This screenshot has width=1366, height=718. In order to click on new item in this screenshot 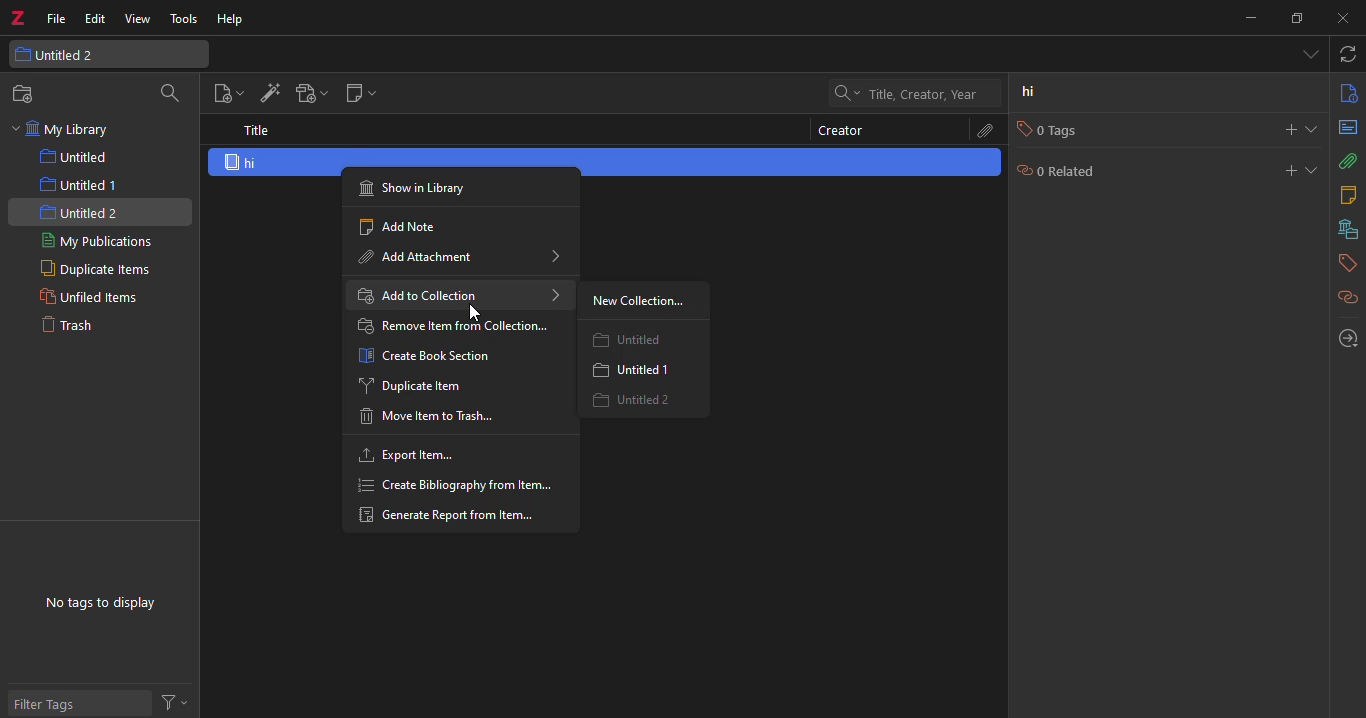, I will do `click(225, 95)`.